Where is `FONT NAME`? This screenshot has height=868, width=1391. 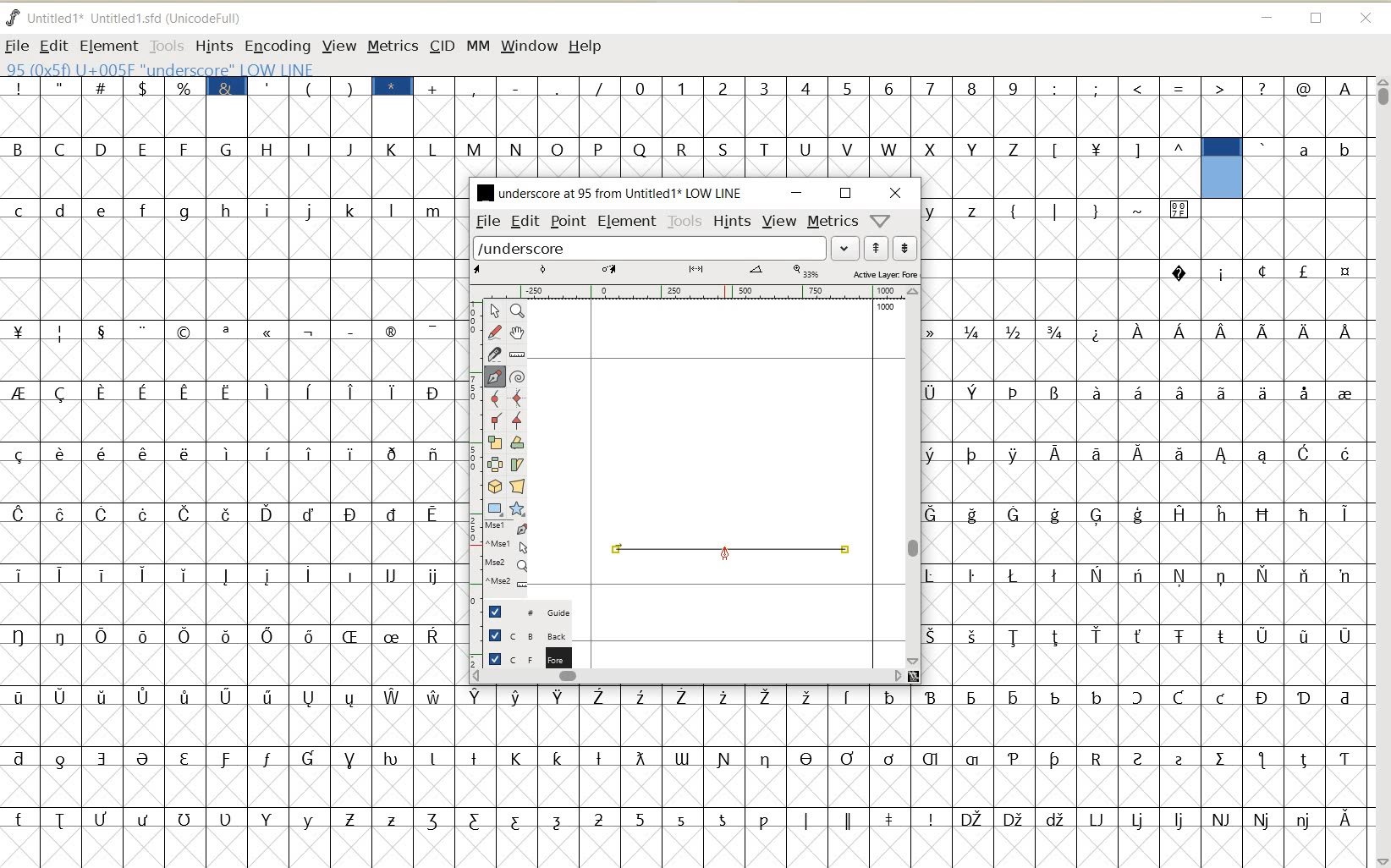
FONT NAME is located at coordinates (608, 192).